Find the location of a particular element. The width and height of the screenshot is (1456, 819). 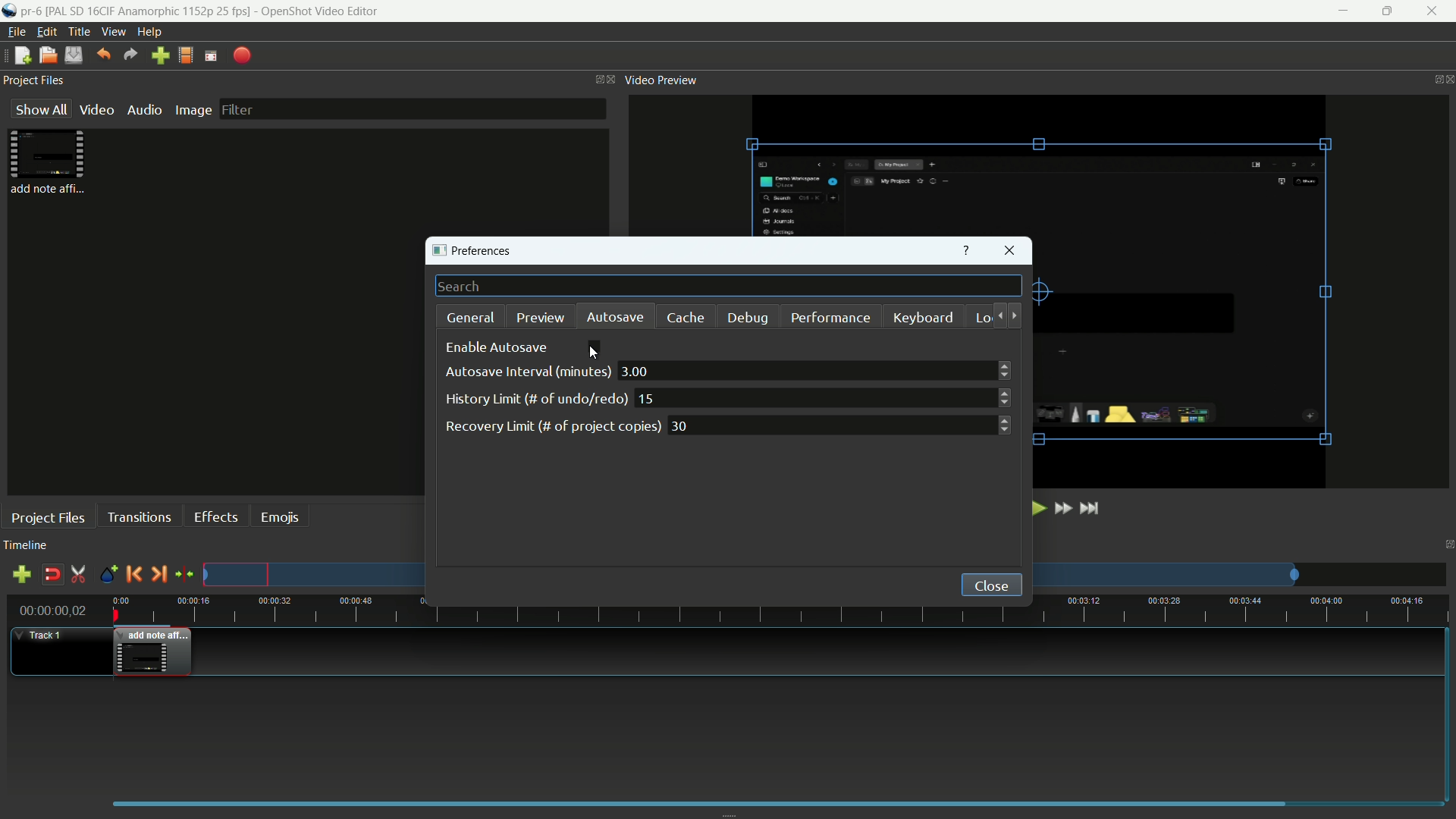

undo is located at coordinates (105, 54).